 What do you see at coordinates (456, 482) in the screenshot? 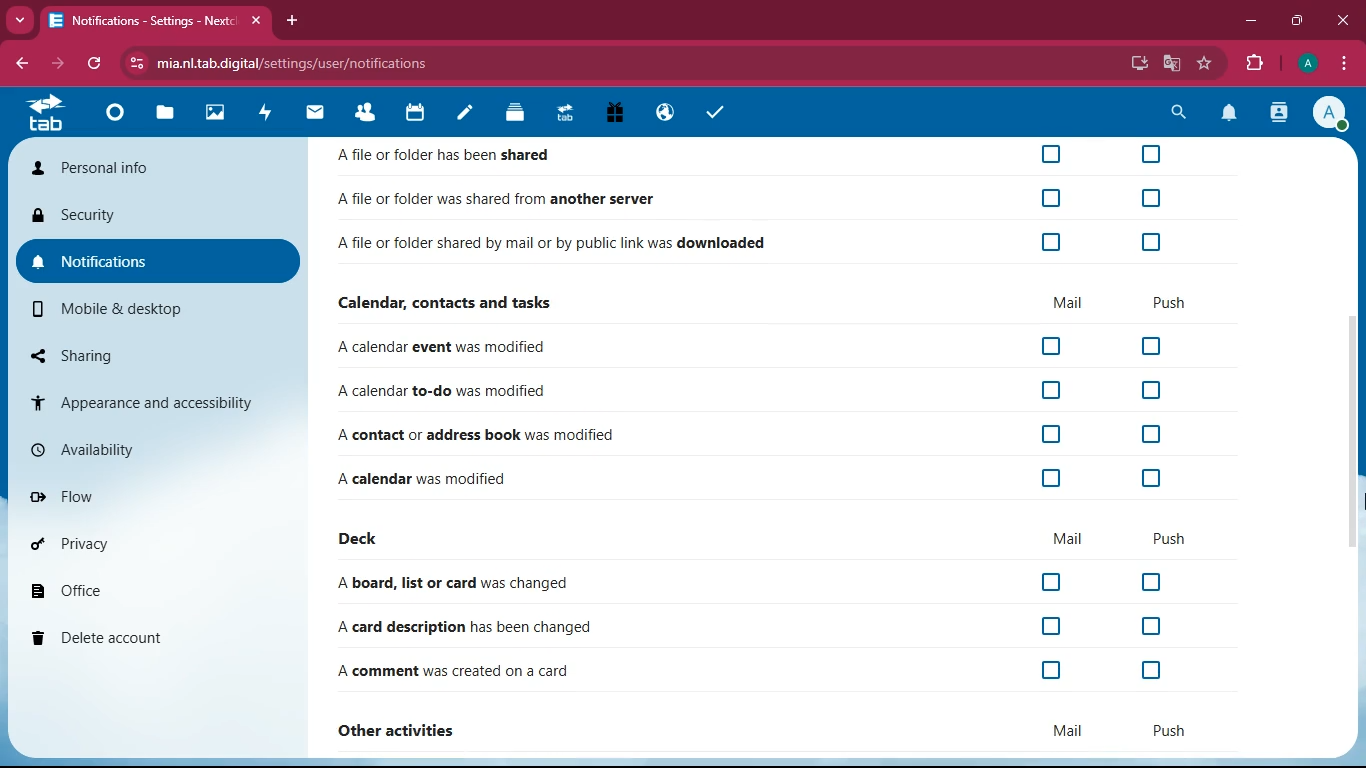
I see `A calendar was modified` at bounding box center [456, 482].